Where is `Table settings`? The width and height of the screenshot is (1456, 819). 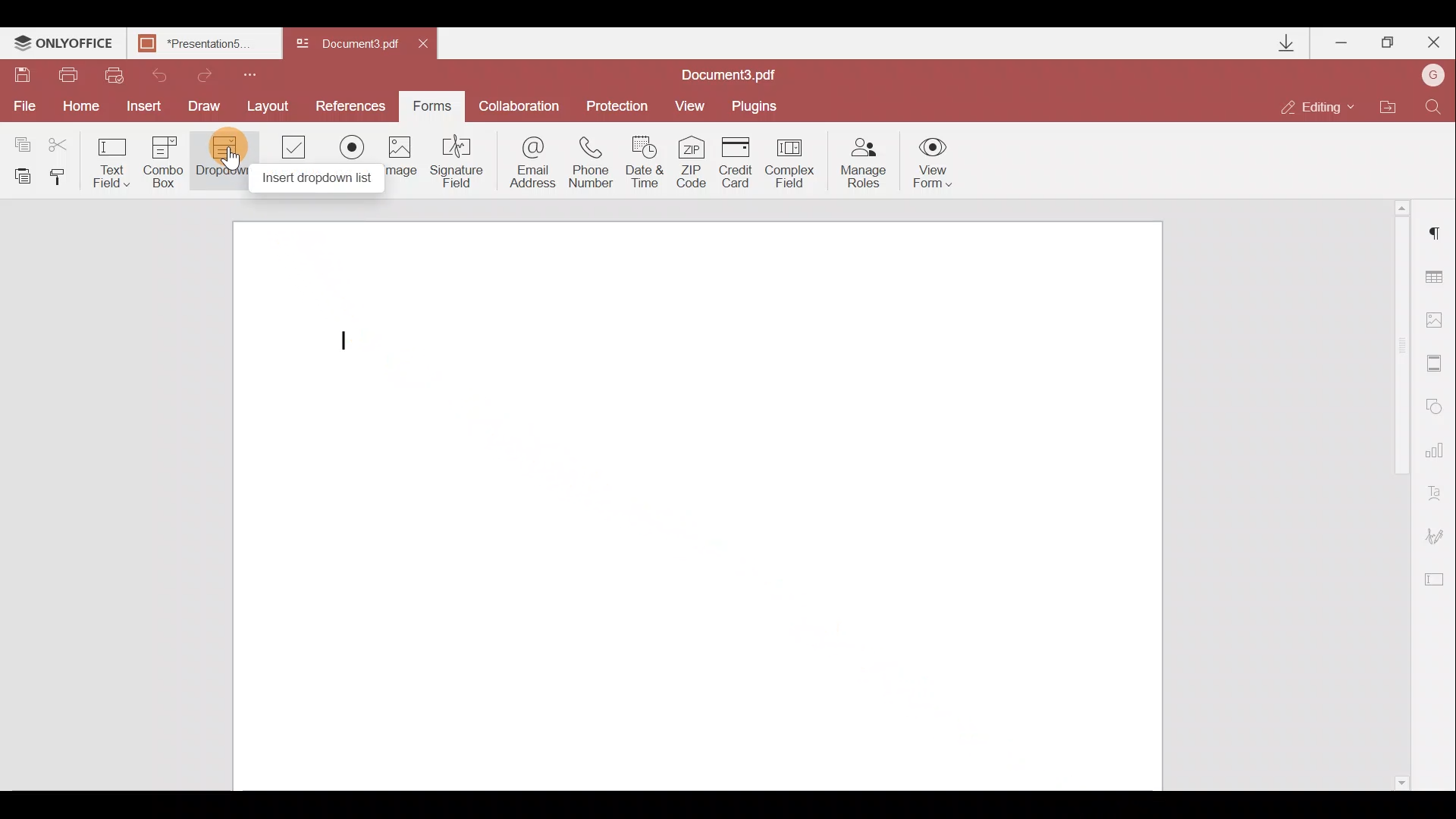 Table settings is located at coordinates (1436, 277).